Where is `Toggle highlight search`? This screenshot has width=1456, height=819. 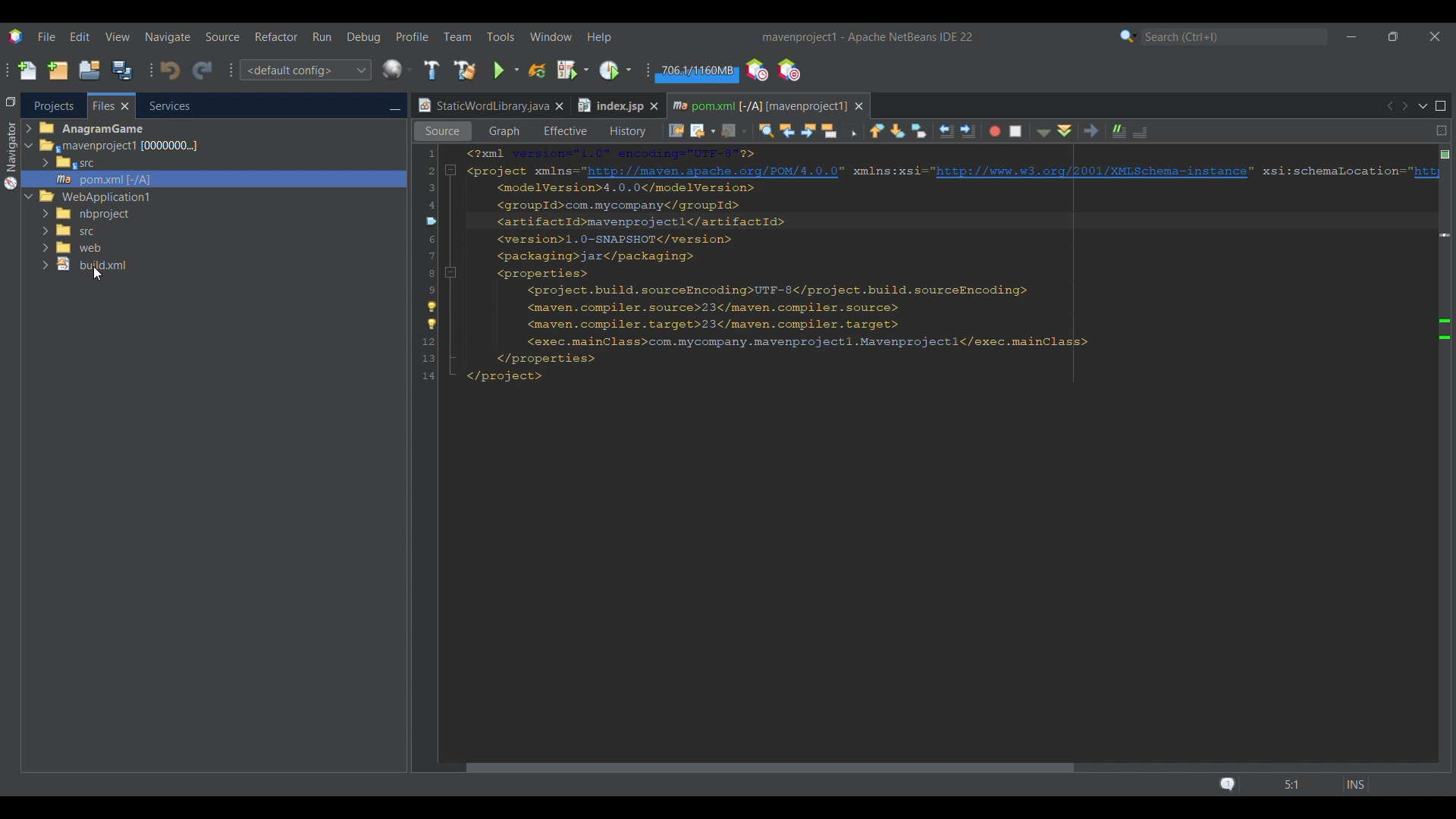 Toggle highlight search is located at coordinates (831, 130).